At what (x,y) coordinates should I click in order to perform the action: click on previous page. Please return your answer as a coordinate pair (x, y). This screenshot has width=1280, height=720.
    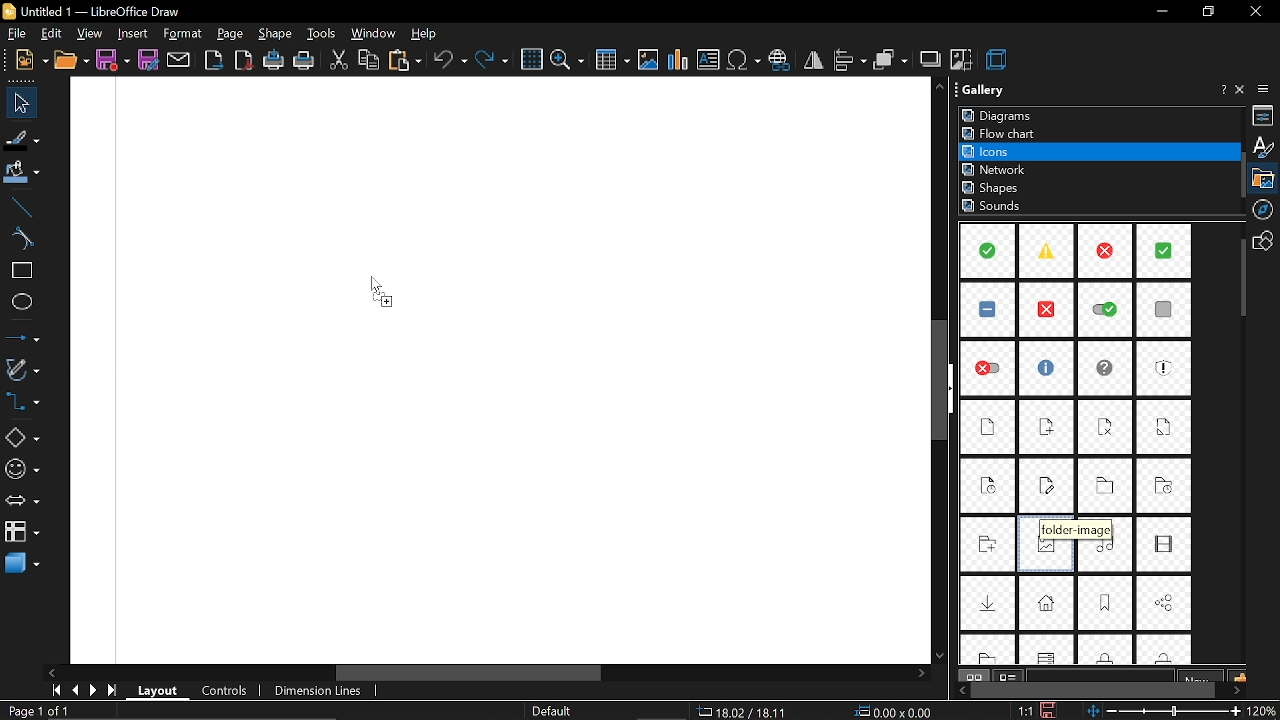
    Looking at the image, I should click on (74, 690).